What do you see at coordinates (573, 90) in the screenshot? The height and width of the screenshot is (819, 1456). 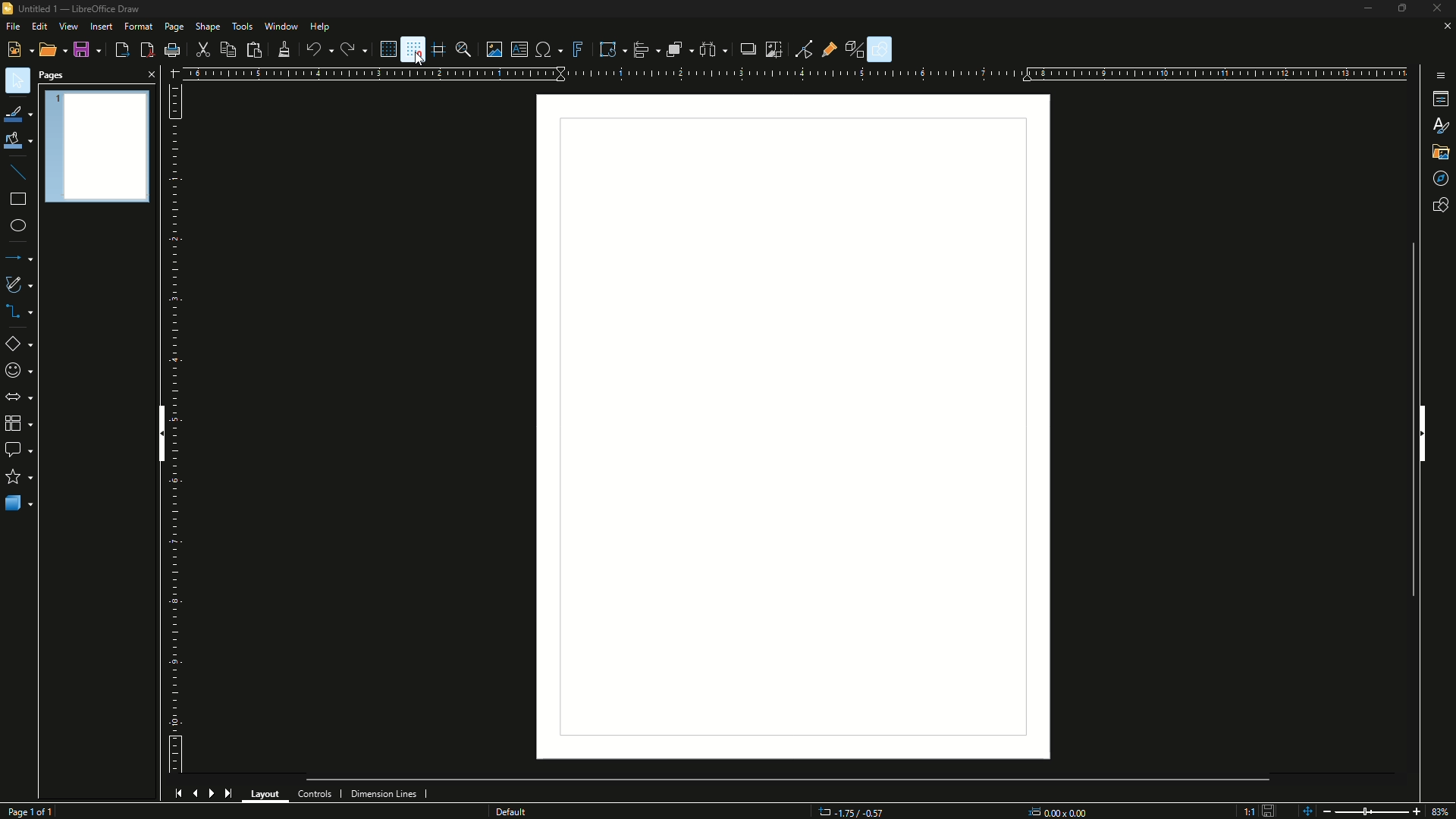 I see `` at bounding box center [573, 90].